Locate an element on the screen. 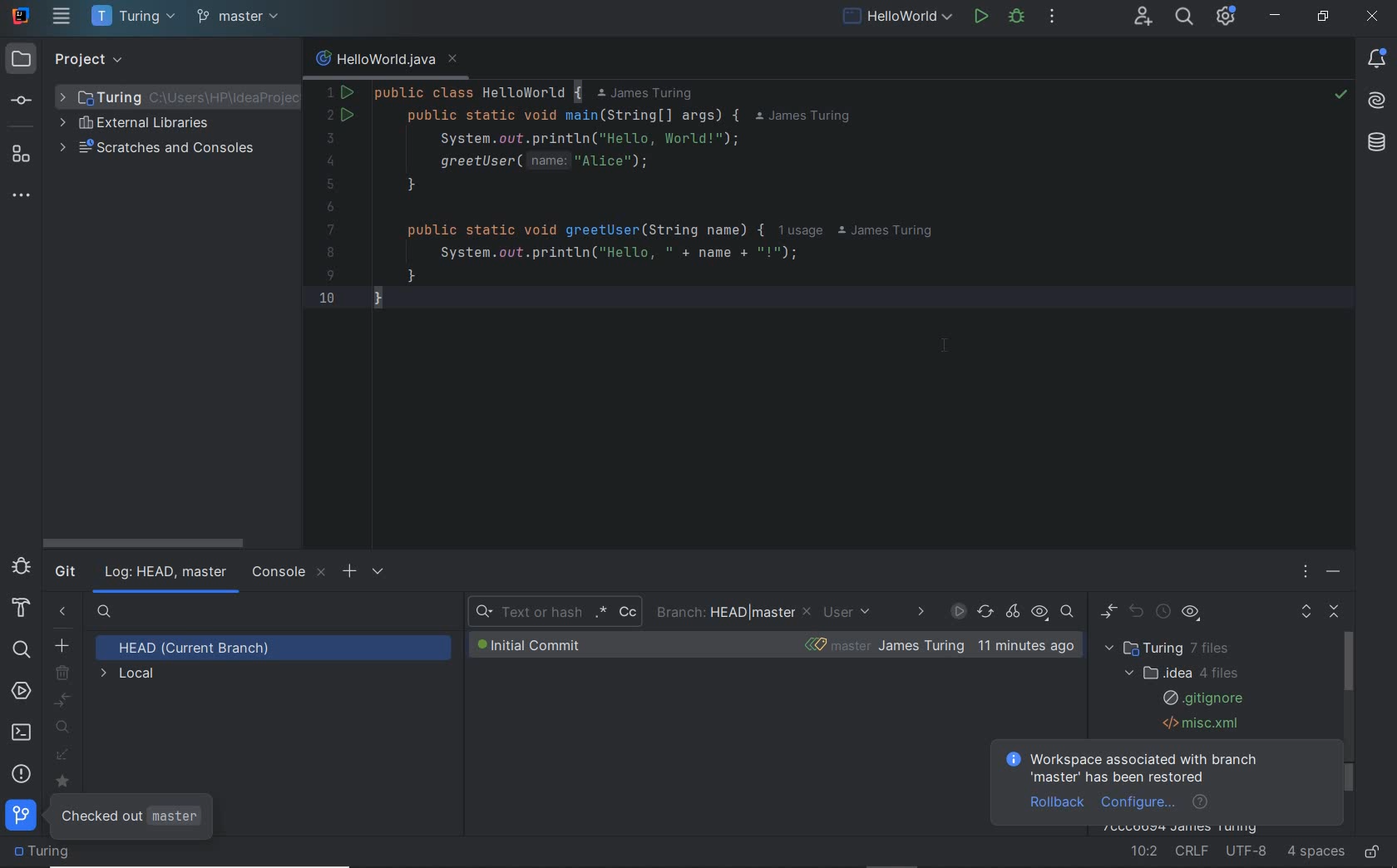 This screenshot has height=868, width=1397. Workspace associated with branch 'master' has been restored is located at coordinates (1143, 766).